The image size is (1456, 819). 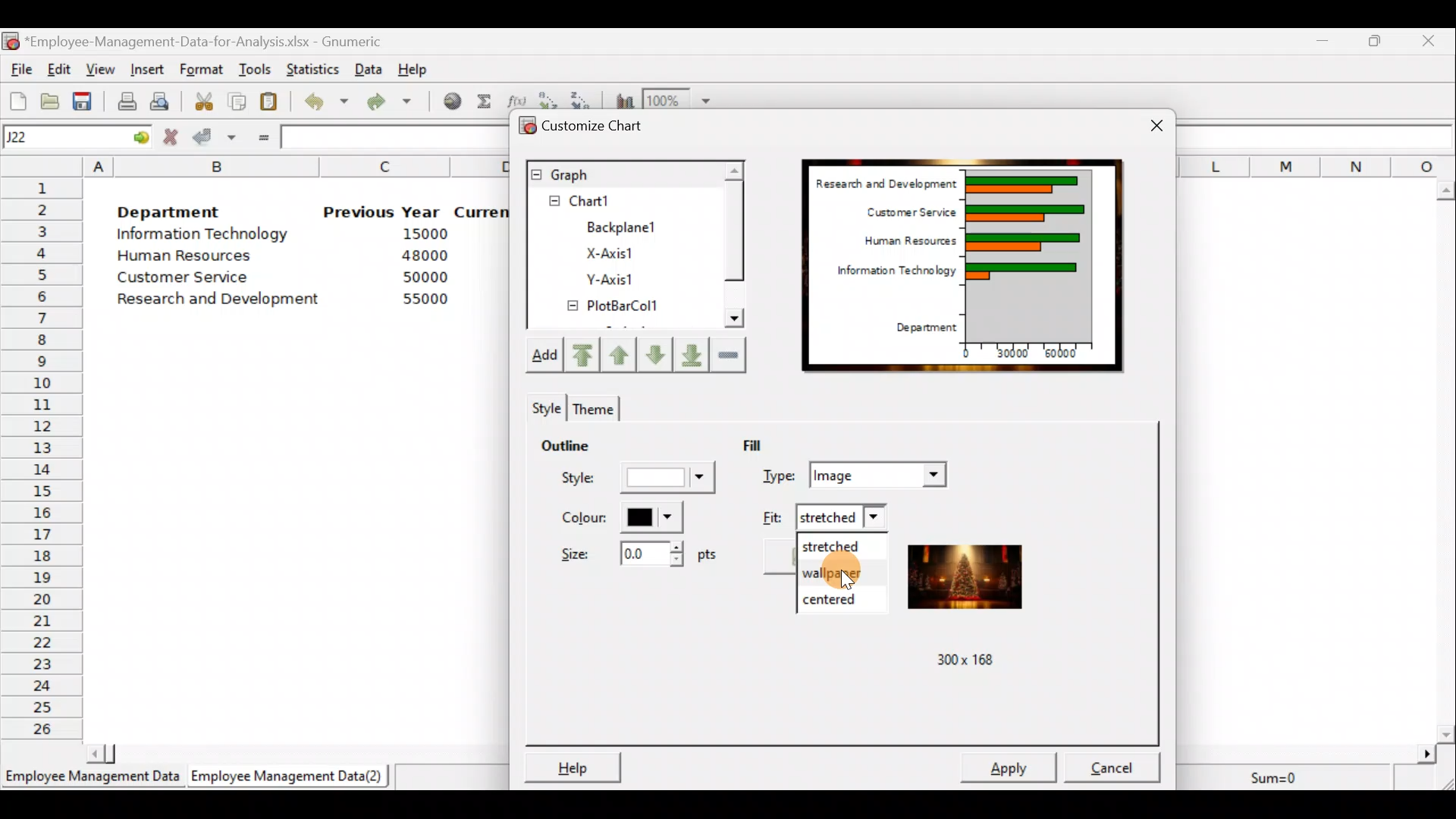 What do you see at coordinates (549, 98) in the screenshot?
I see `Sort in Ascending order` at bounding box center [549, 98].